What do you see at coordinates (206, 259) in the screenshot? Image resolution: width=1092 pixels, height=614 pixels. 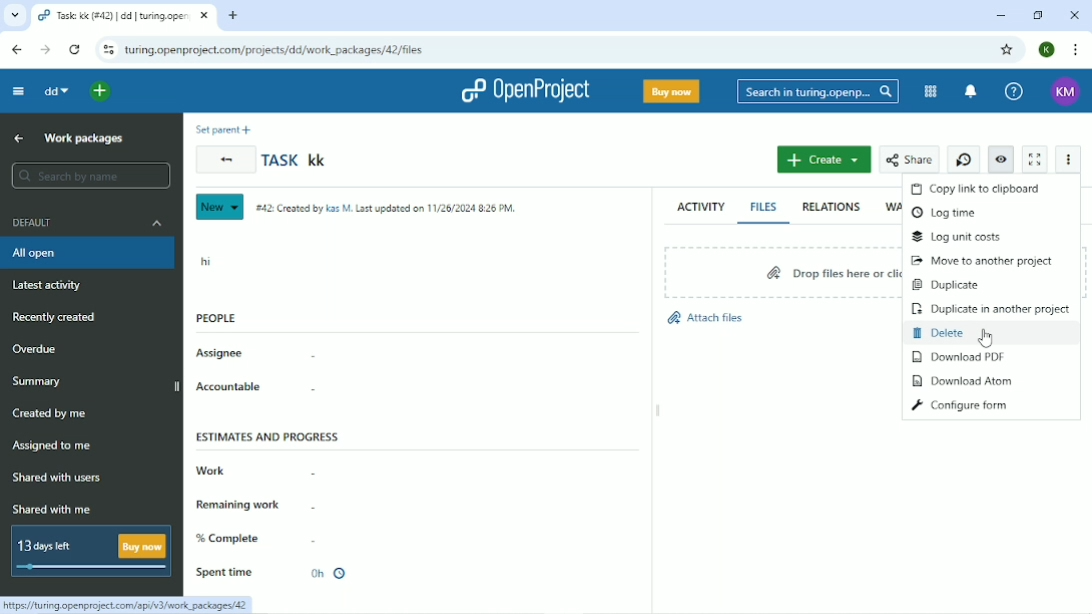 I see `hi` at bounding box center [206, 259].